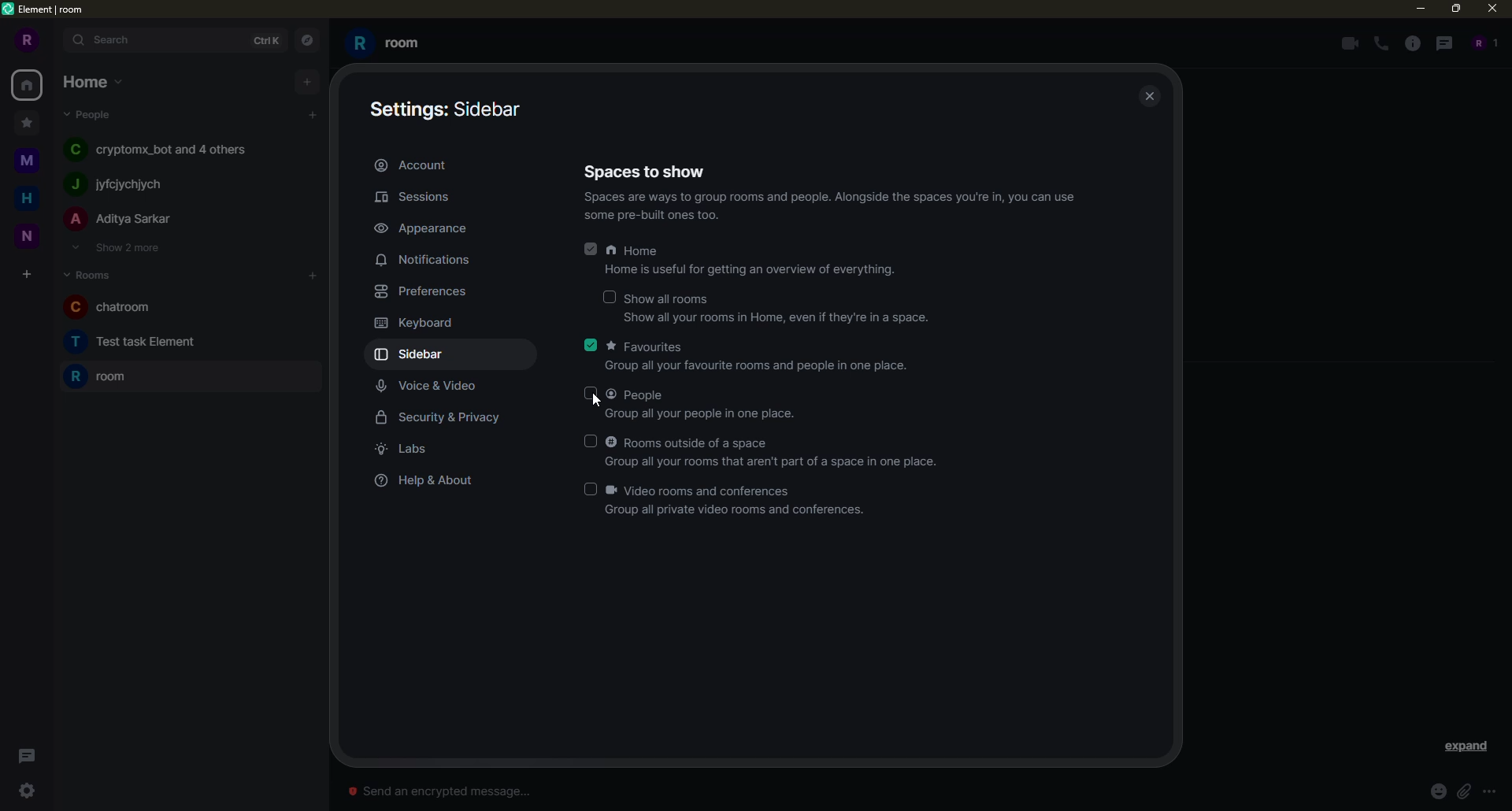 This screenshot has width=1512, height=811. Describe the element at coordinates (1468, 746) in the screenshot. I see `expand` at that location.